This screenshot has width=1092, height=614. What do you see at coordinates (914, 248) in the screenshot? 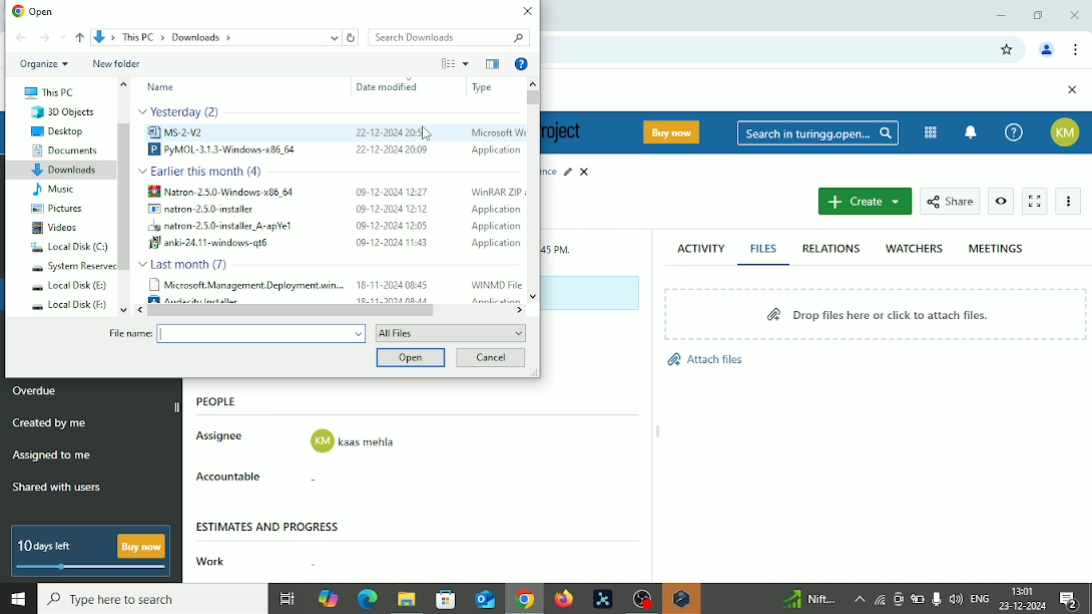
I see `Watchers` at bounding box center [914, 248].